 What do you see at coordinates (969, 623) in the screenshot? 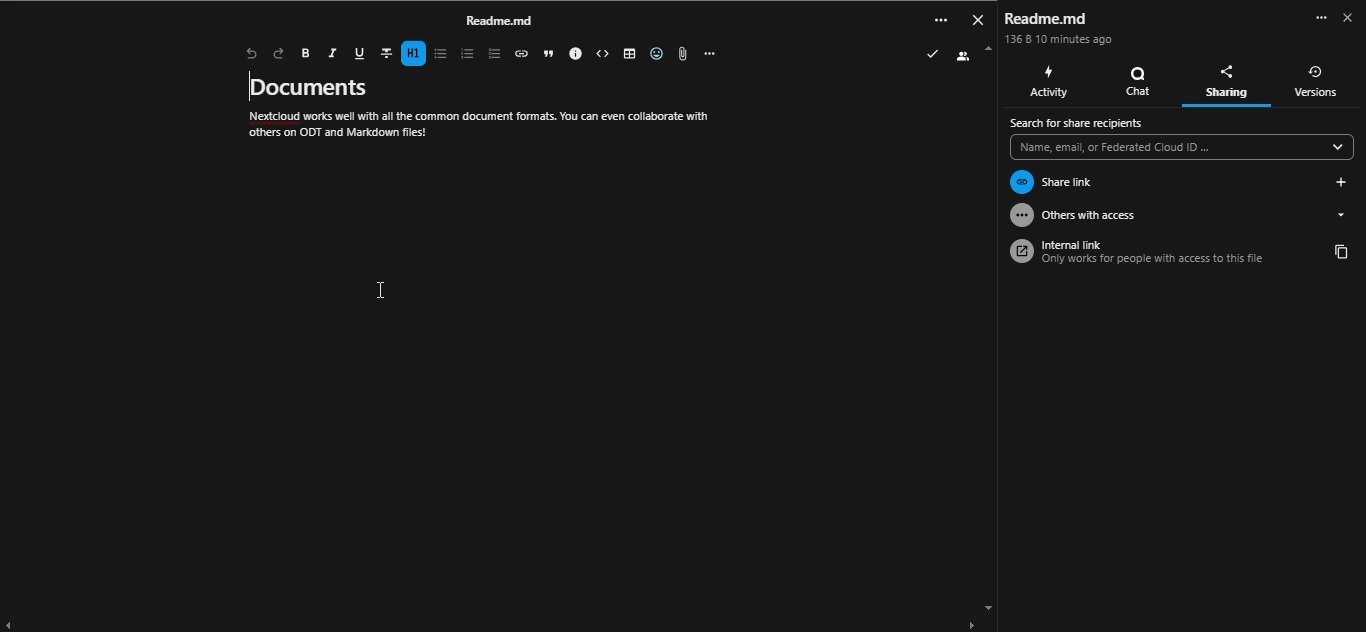
I see `scroll right` at bounding box center [969, 623].